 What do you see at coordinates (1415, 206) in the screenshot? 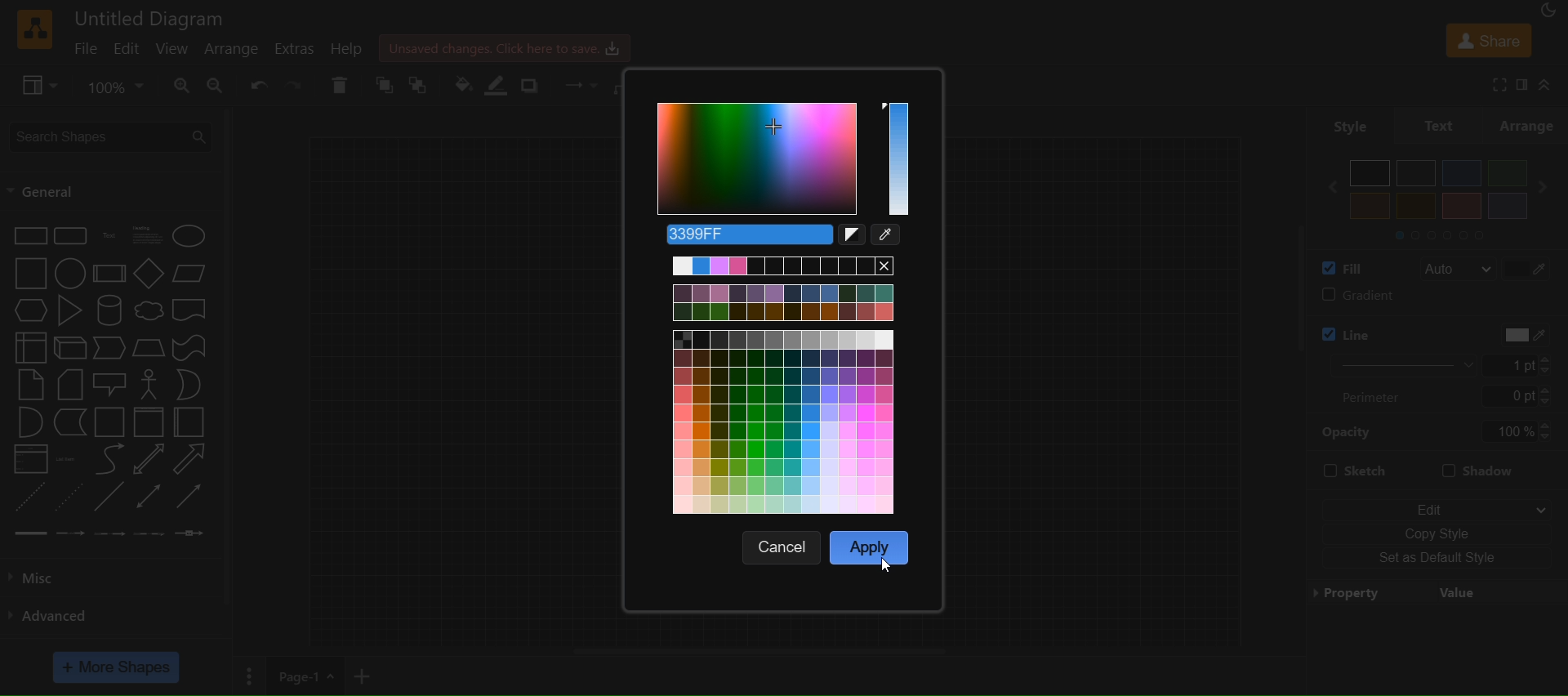
I see `light yellow color` at bounding box center [1415, 206].